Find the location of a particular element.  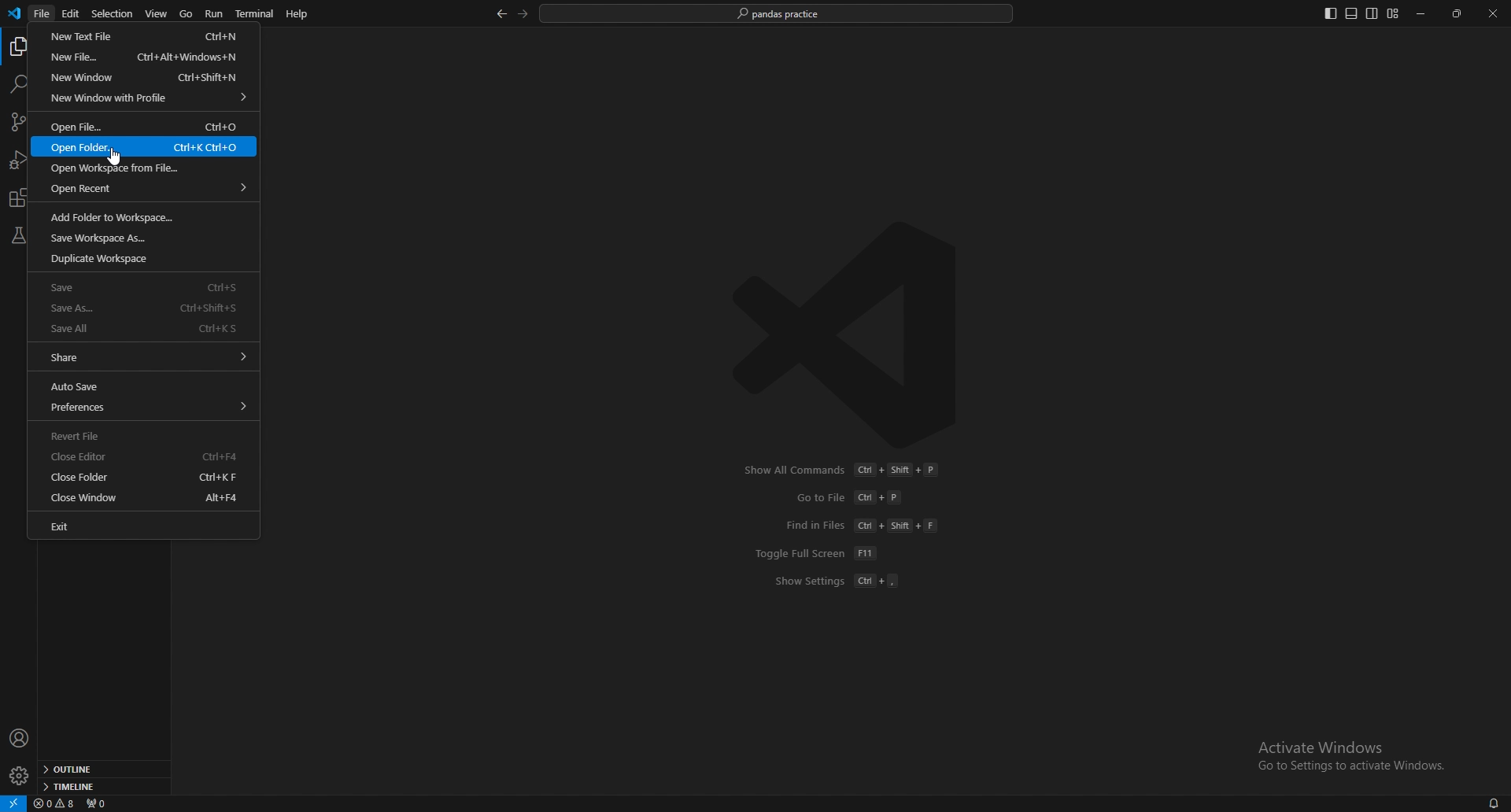

terminal is located at coordinates (256, 13).